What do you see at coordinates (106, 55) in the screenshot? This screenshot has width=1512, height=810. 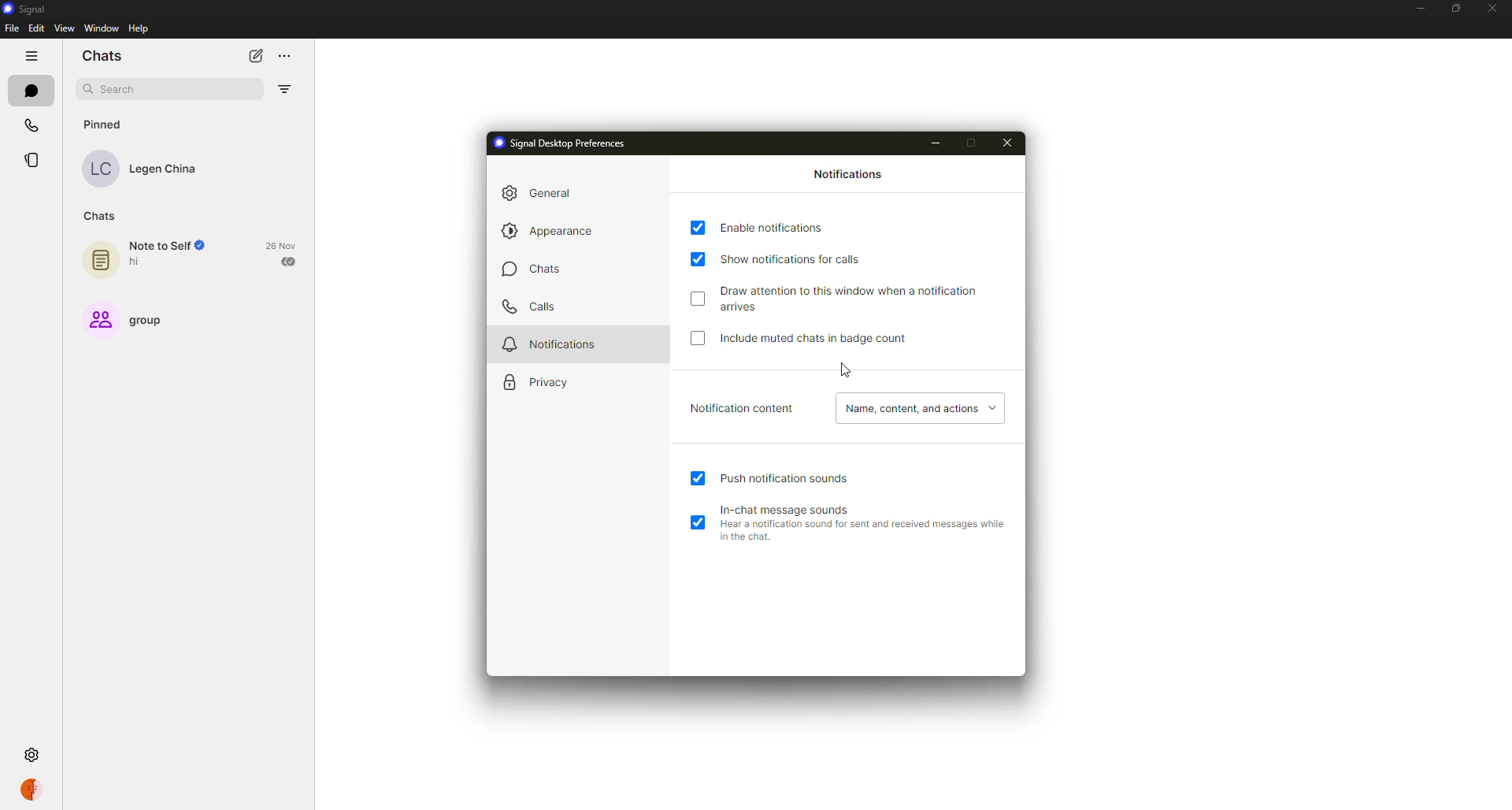 I see `chats` at bounding box center [106, 55].